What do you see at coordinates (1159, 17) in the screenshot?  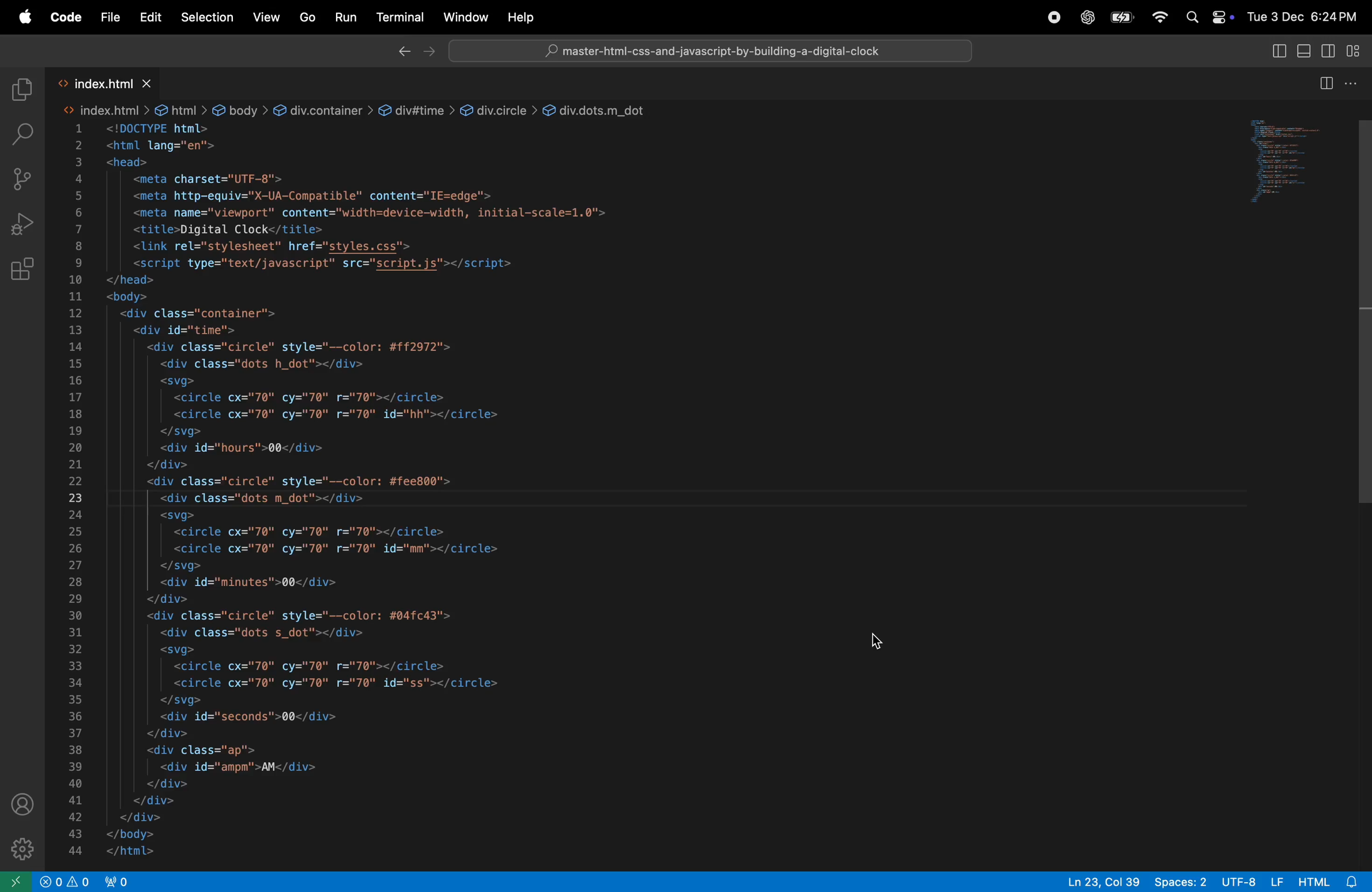 I see `wifi` at bounding box center [1159, 17].